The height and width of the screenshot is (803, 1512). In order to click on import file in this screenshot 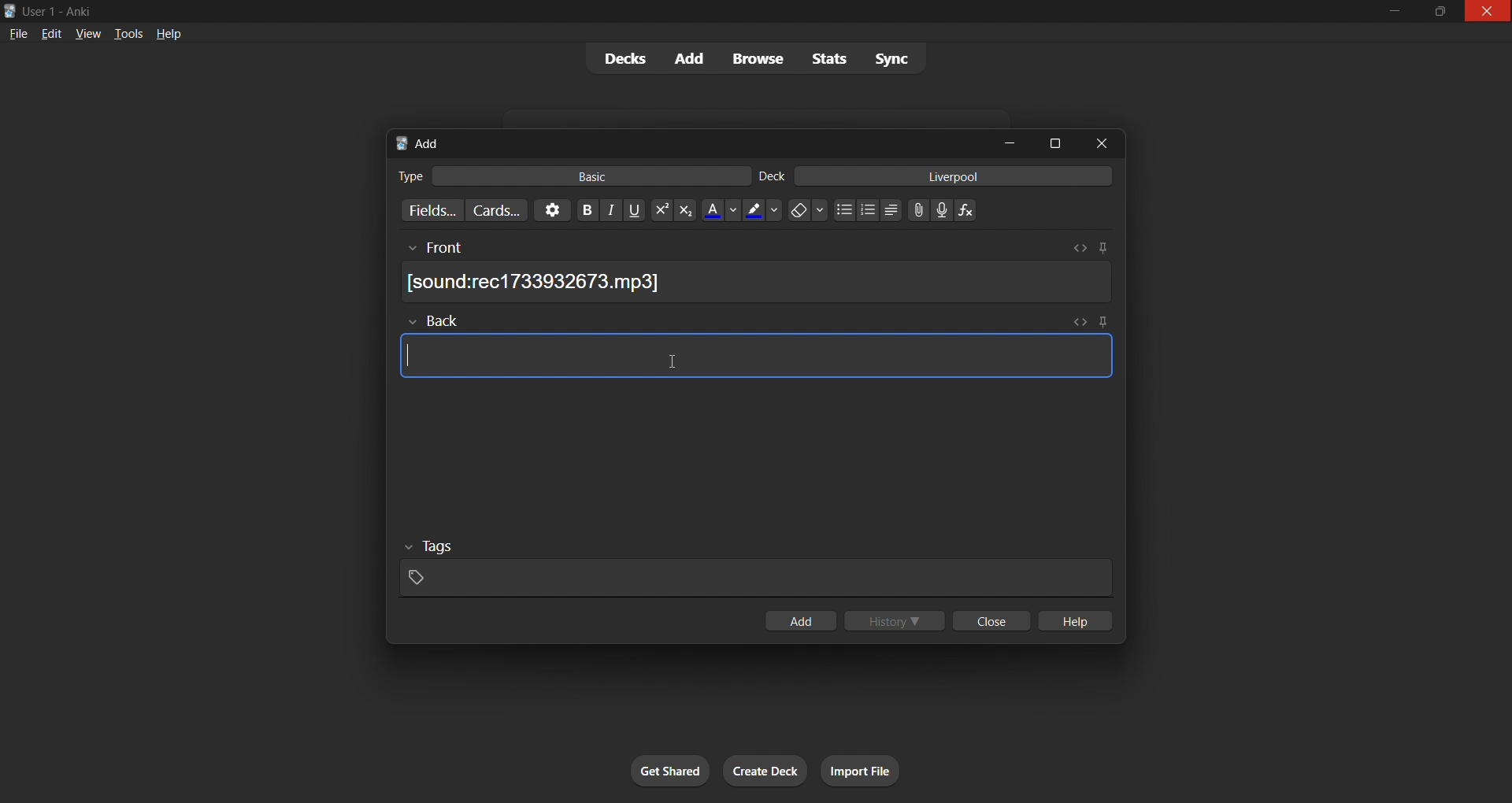, I will do `click(876, 768)`.